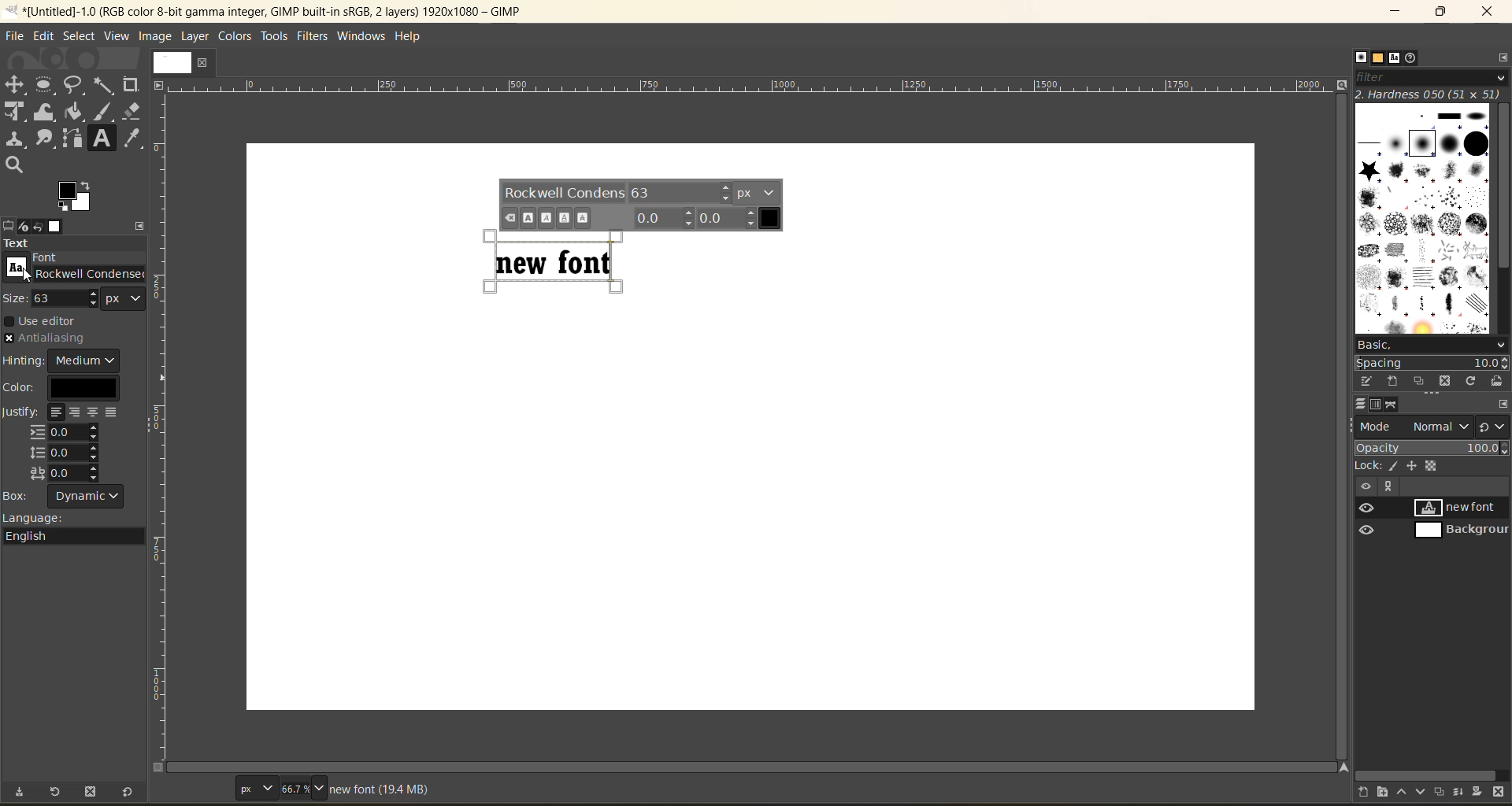 This screenshot has height=806, width=1512. Describe the element at coordinates (328, 786) in the screenshot. I see `zoom` at that location.